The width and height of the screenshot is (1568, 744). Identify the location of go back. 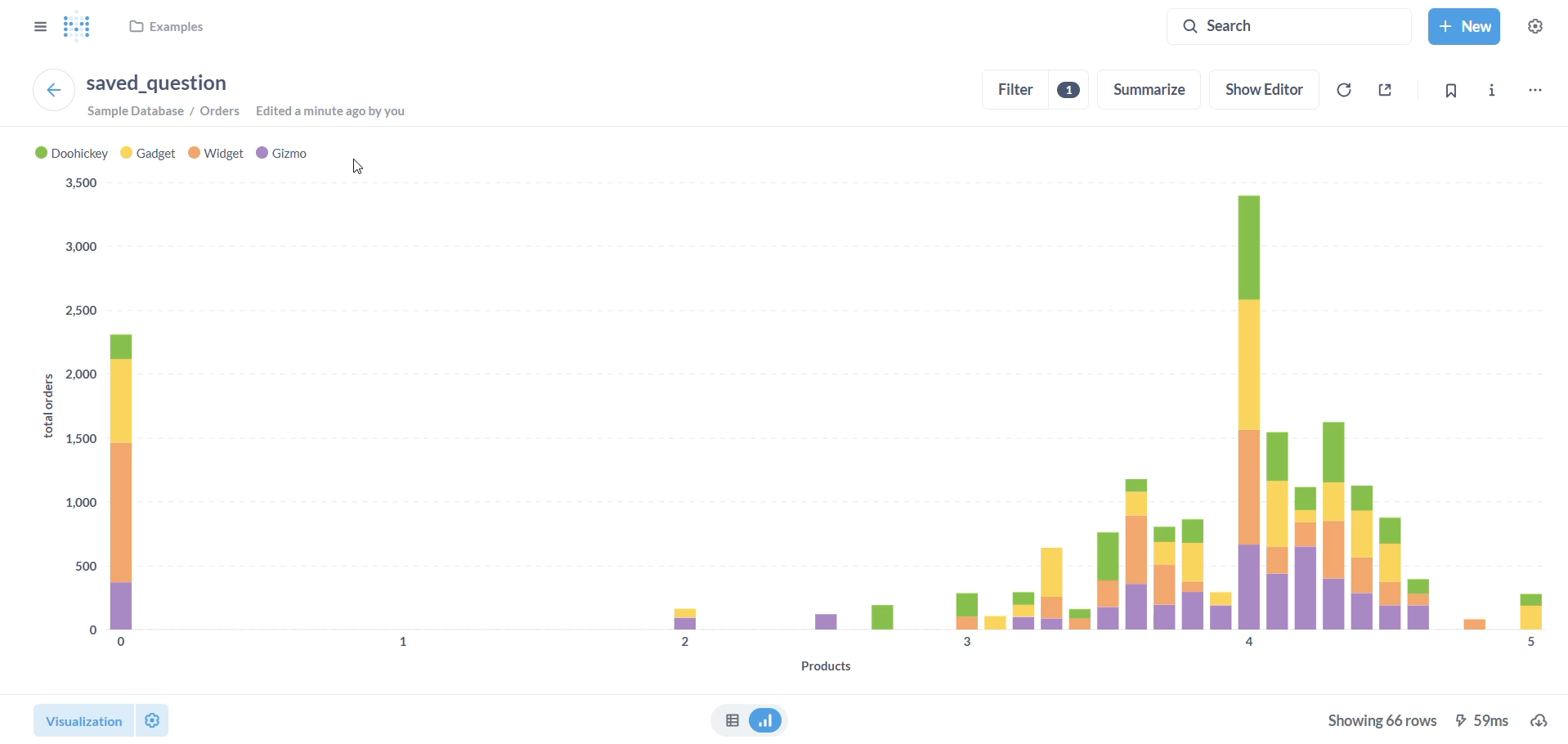
(52, 92).